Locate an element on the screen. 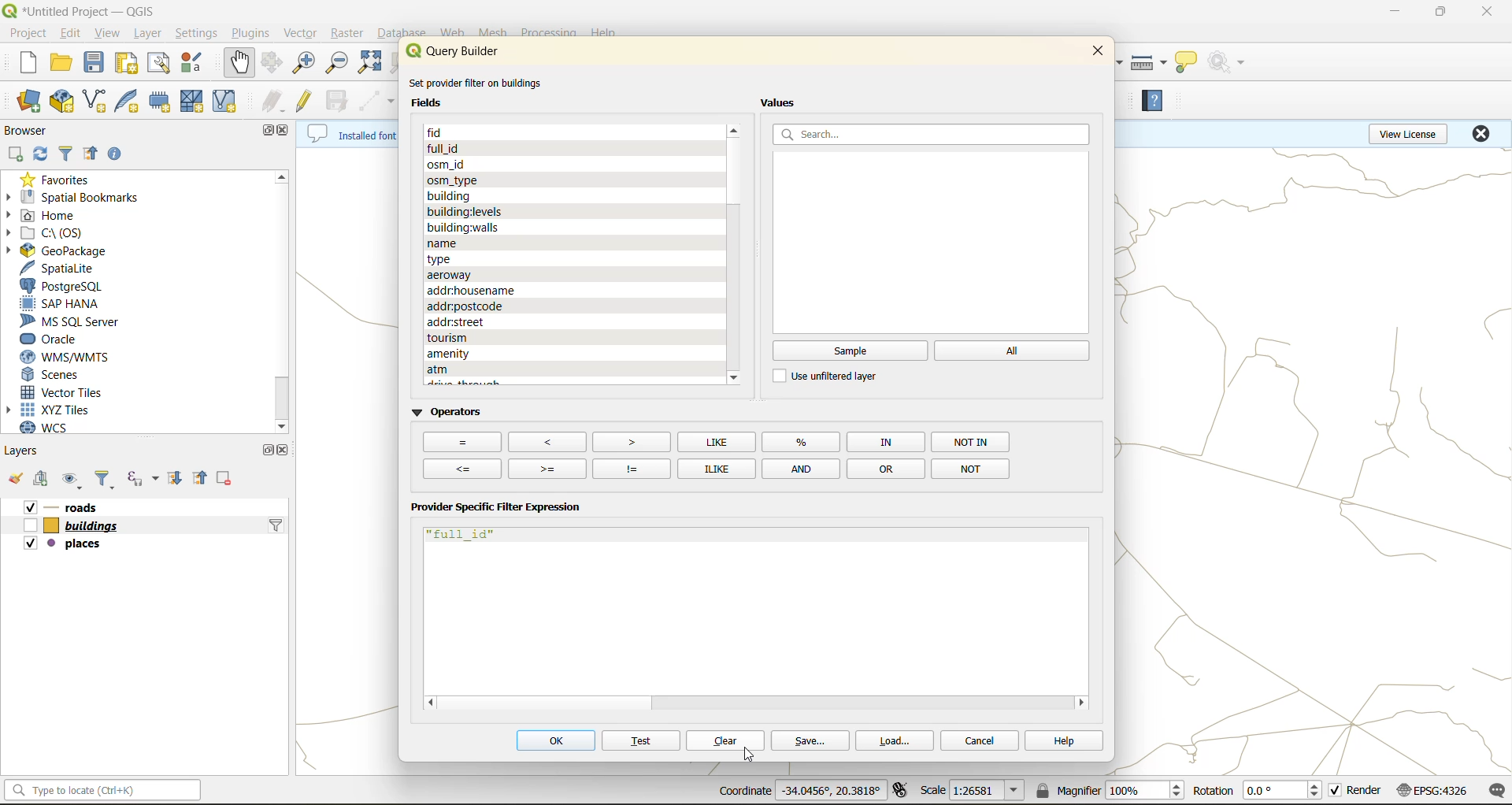 This screenshot has height=805, width=1512. render is located at coordinates (1356, 791).